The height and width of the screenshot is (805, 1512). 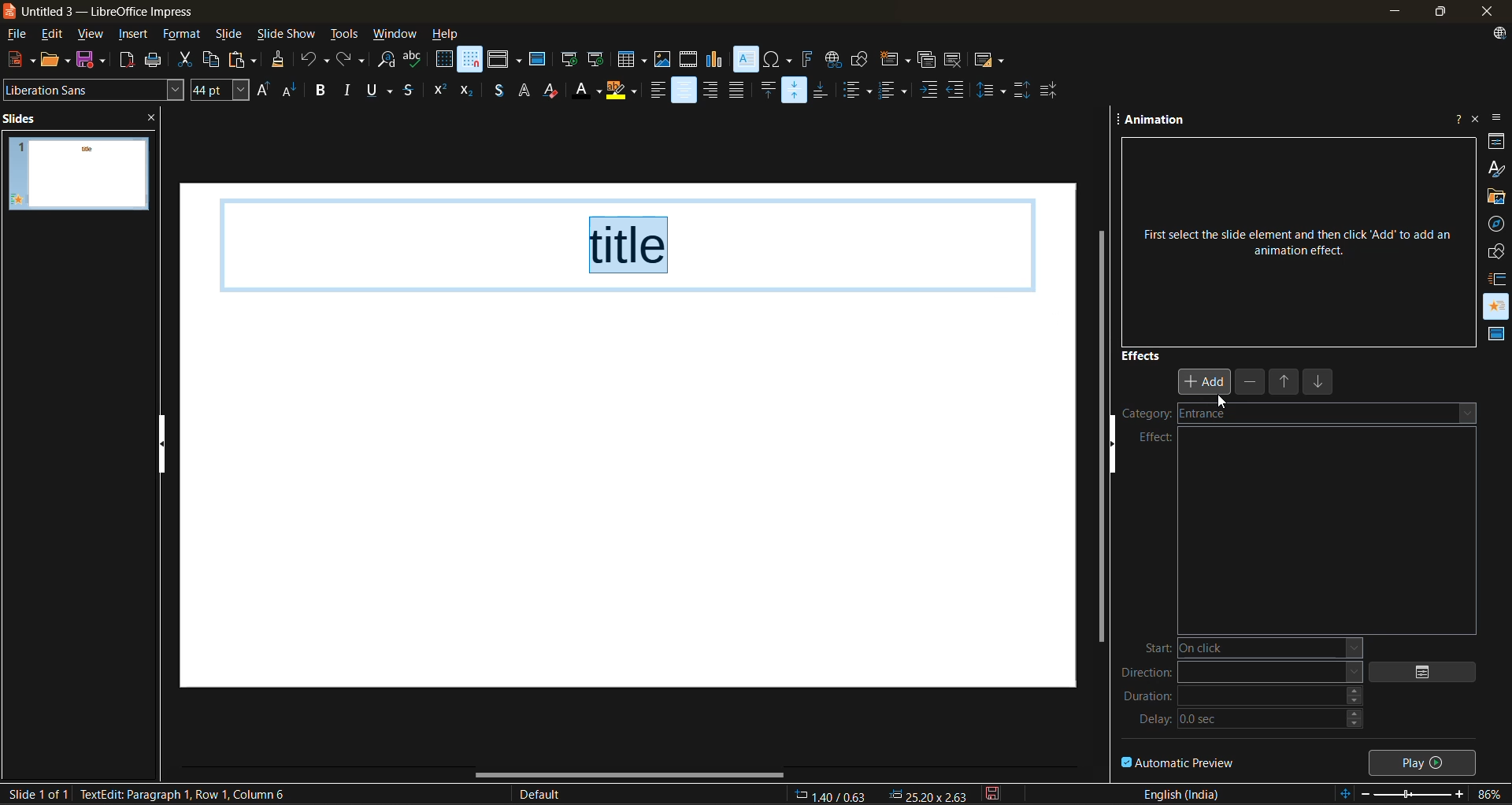 What do you see at coordinates (291, 93) in the screenshot?
I see `decrease font size` at bounding box center [291, 93].